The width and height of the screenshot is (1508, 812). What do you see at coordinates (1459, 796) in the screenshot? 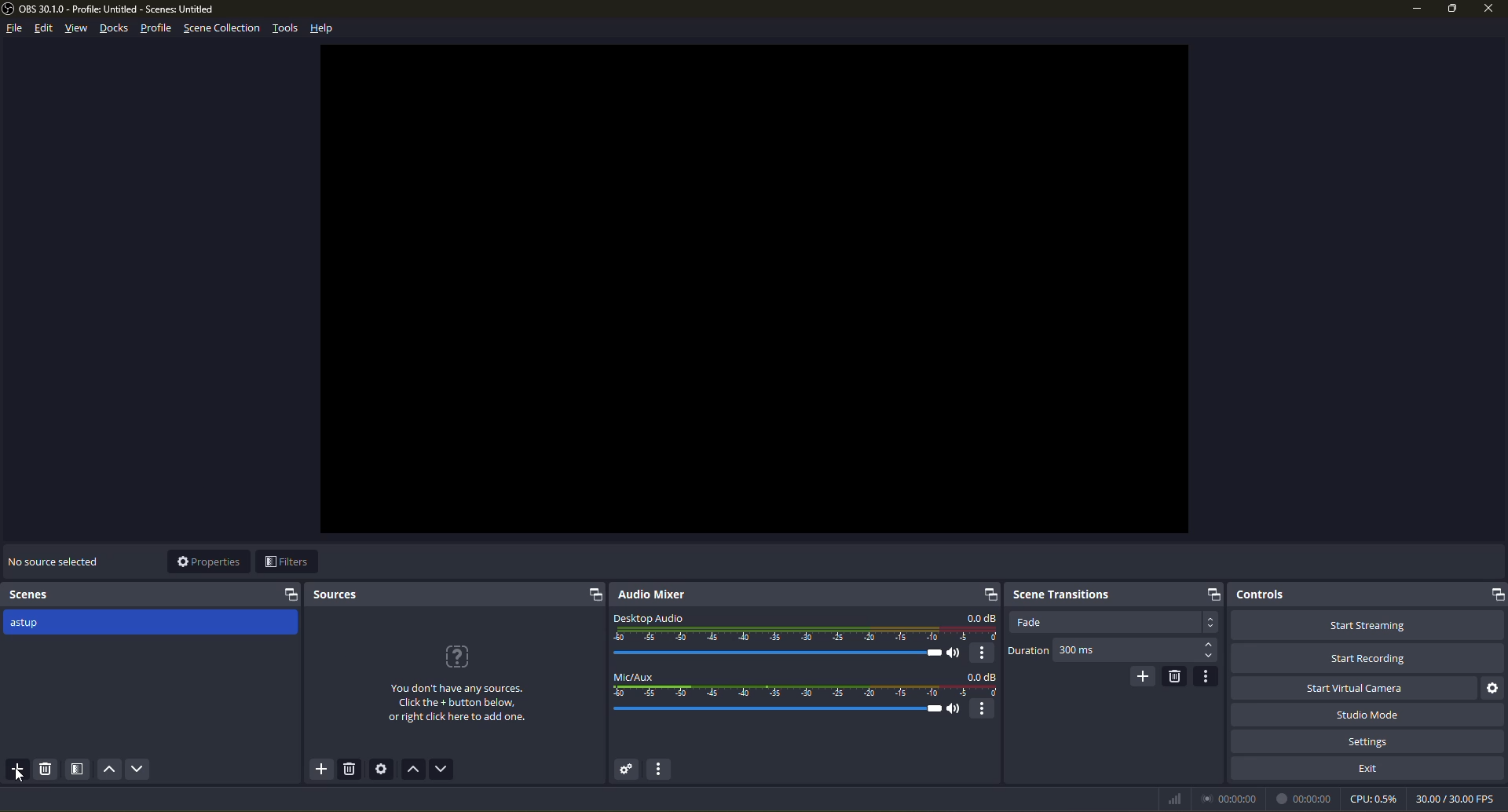
I see `fps` at bounding box center [1459, 796].